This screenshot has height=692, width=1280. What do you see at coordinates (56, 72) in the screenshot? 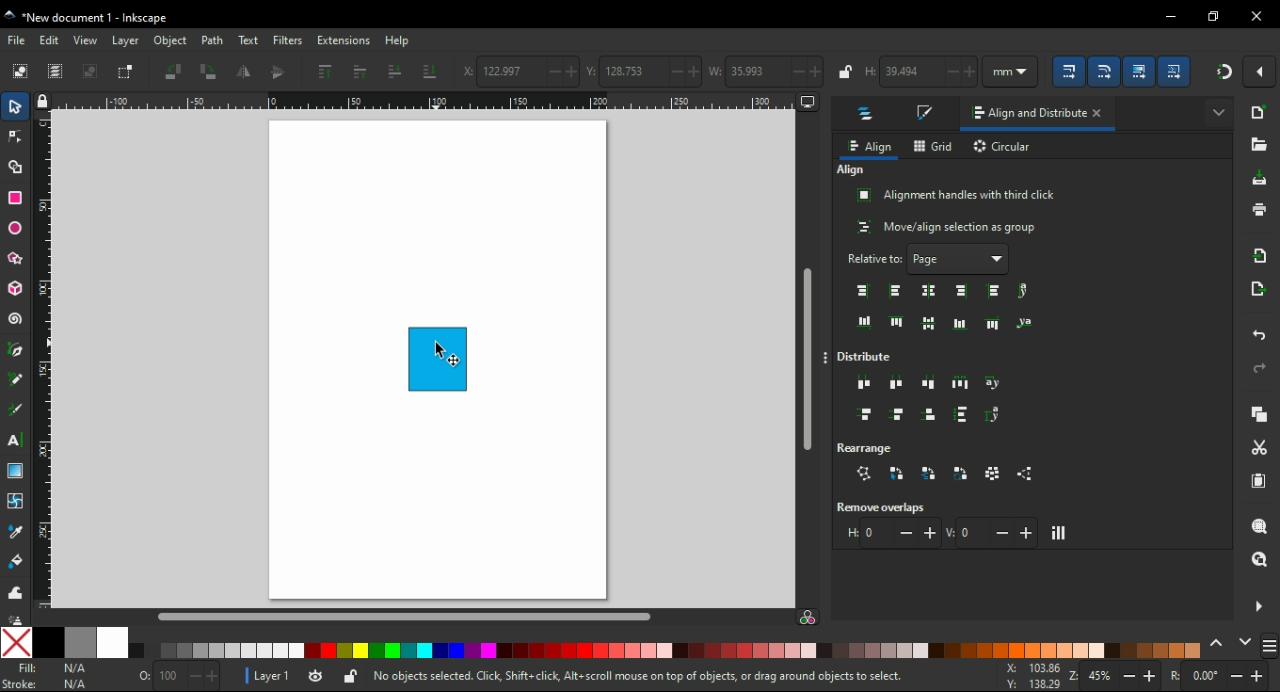
I see `select all in all layers` at bounding box center [56, 72].